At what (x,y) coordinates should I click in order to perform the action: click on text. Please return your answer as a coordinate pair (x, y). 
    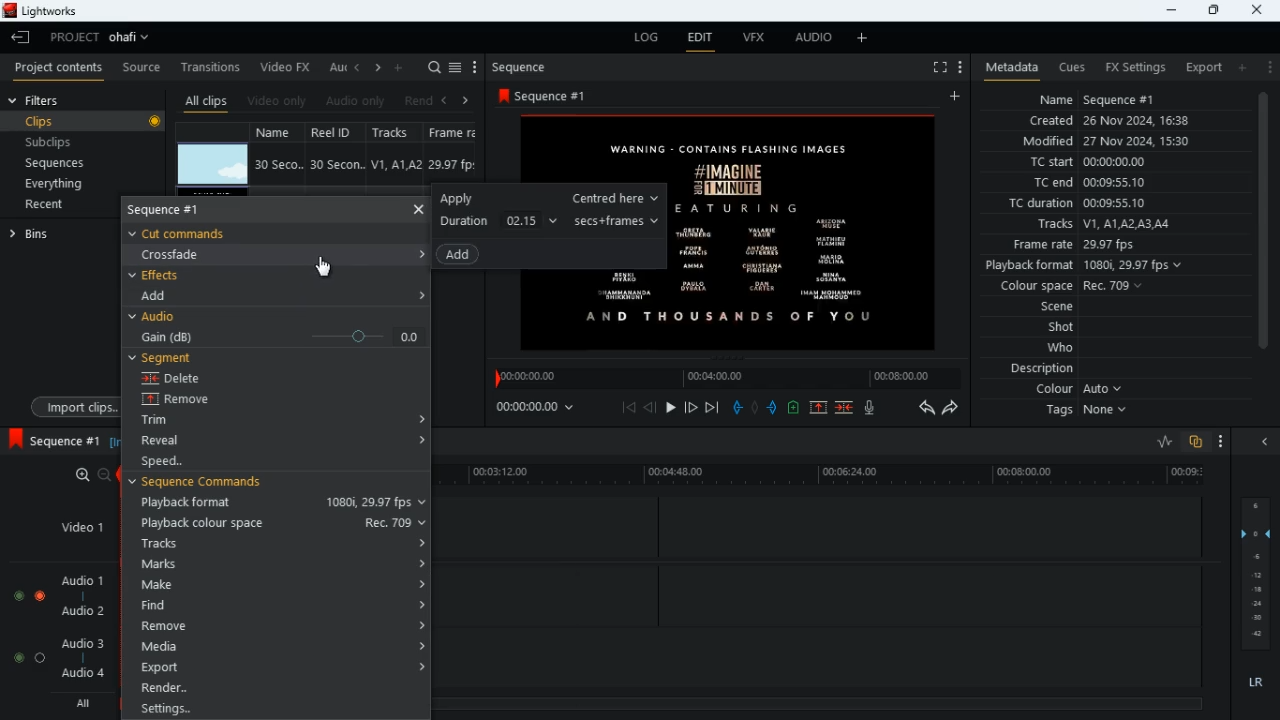
    Looking at the image, I should click on (635, 151).